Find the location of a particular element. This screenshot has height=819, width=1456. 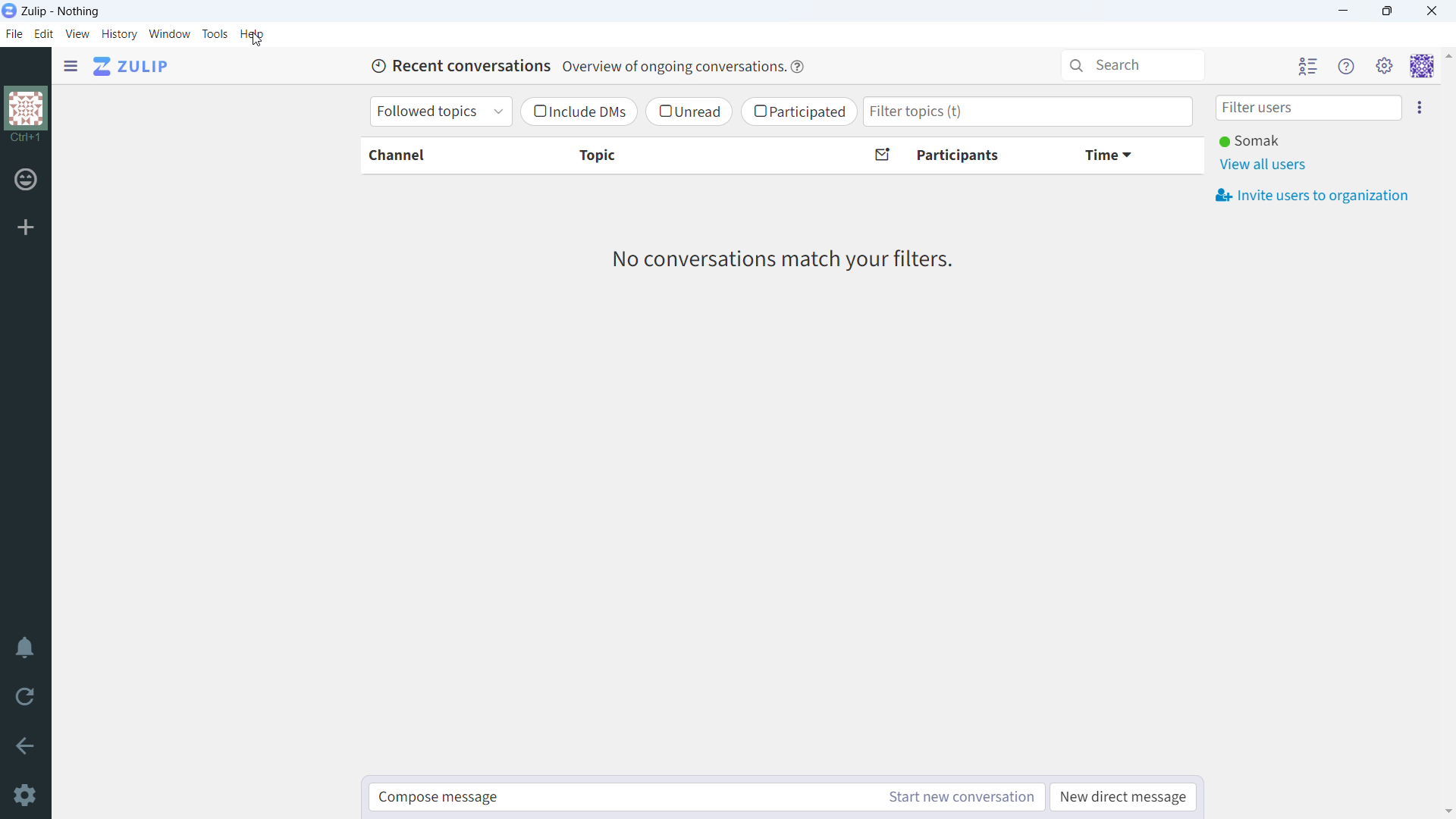

view is located at coordinates (78, 33).